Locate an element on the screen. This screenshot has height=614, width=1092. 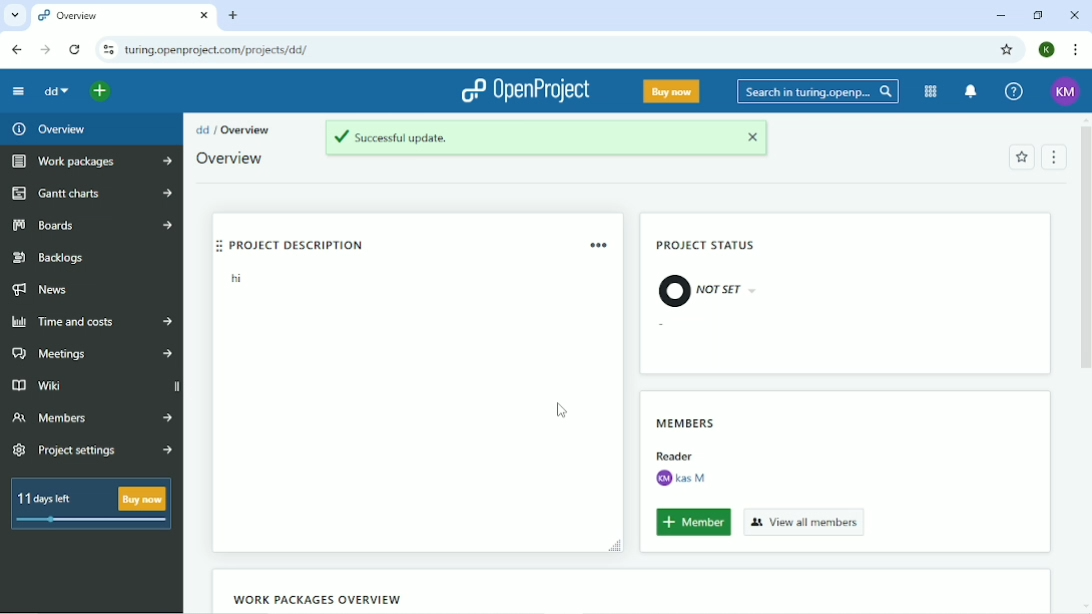
Forward is located at coordinates (45, 49).